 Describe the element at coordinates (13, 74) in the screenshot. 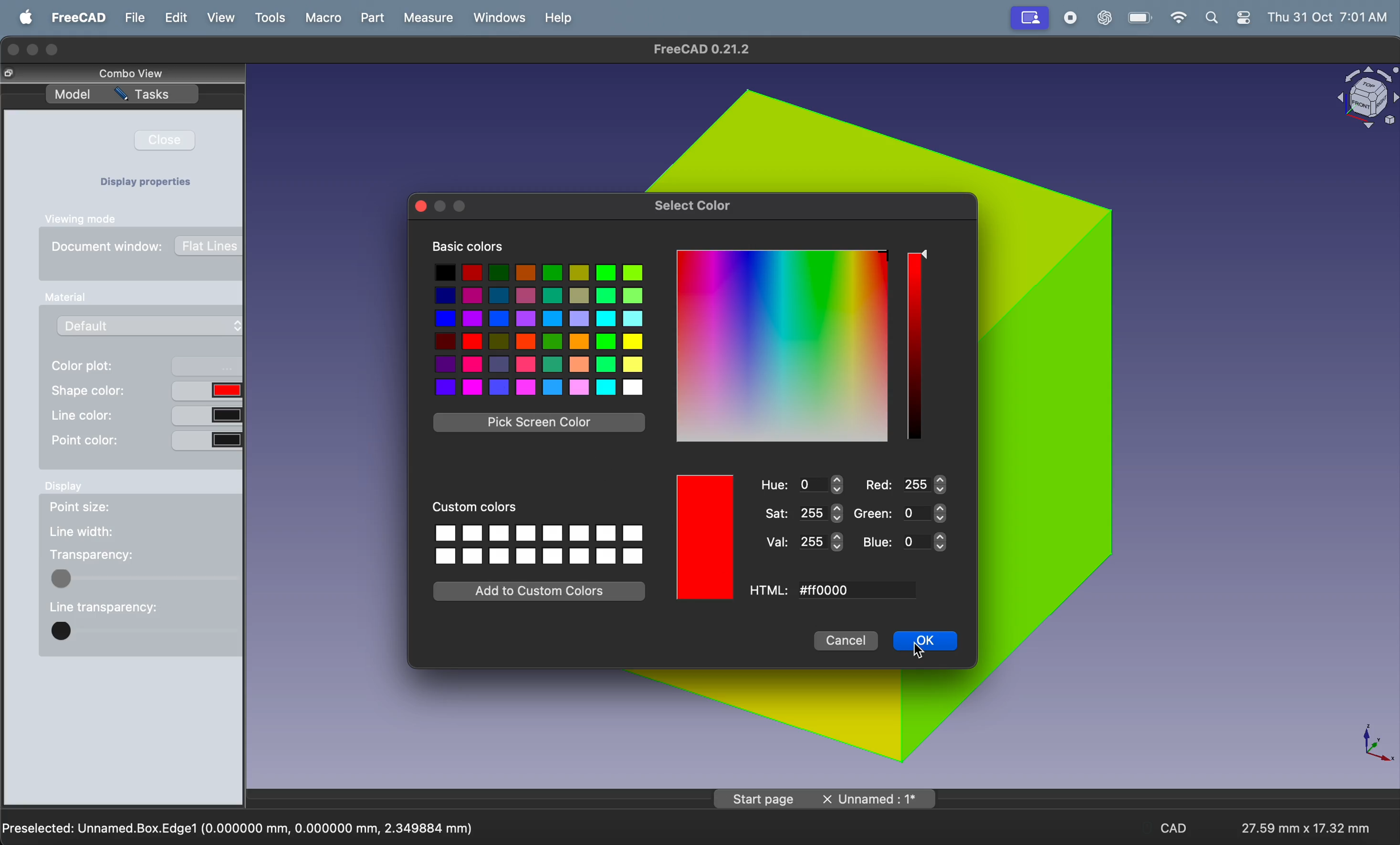

I see `copy` at that location.